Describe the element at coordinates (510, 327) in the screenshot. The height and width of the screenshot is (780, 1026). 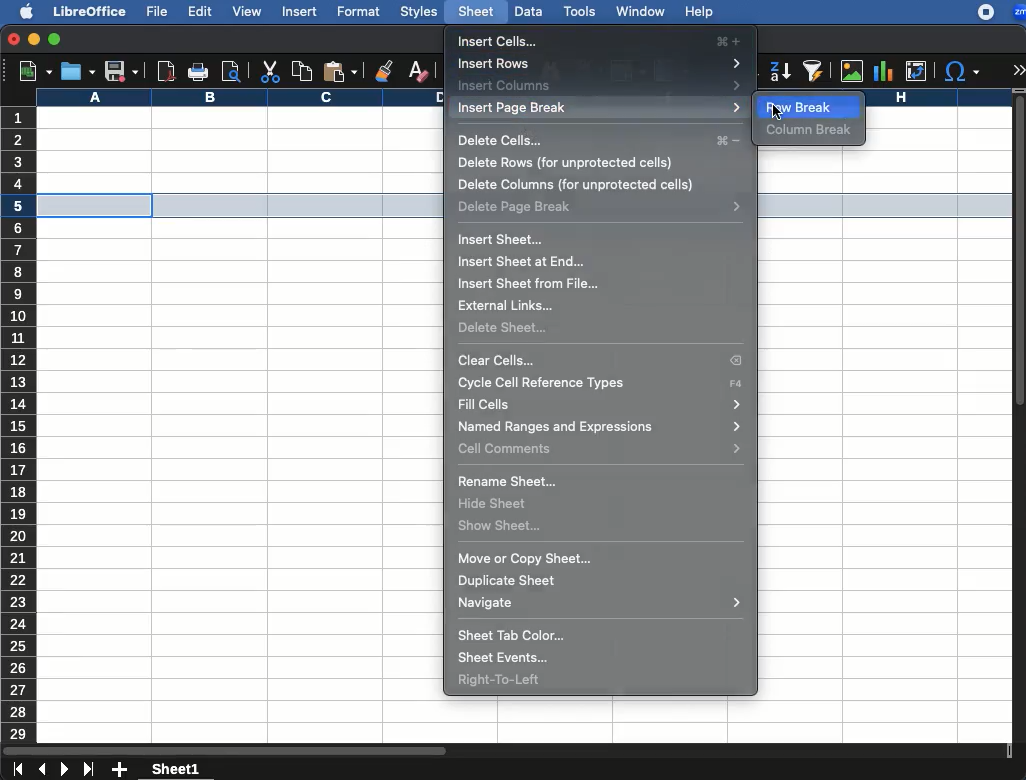
I see `delete sheet` at that location.